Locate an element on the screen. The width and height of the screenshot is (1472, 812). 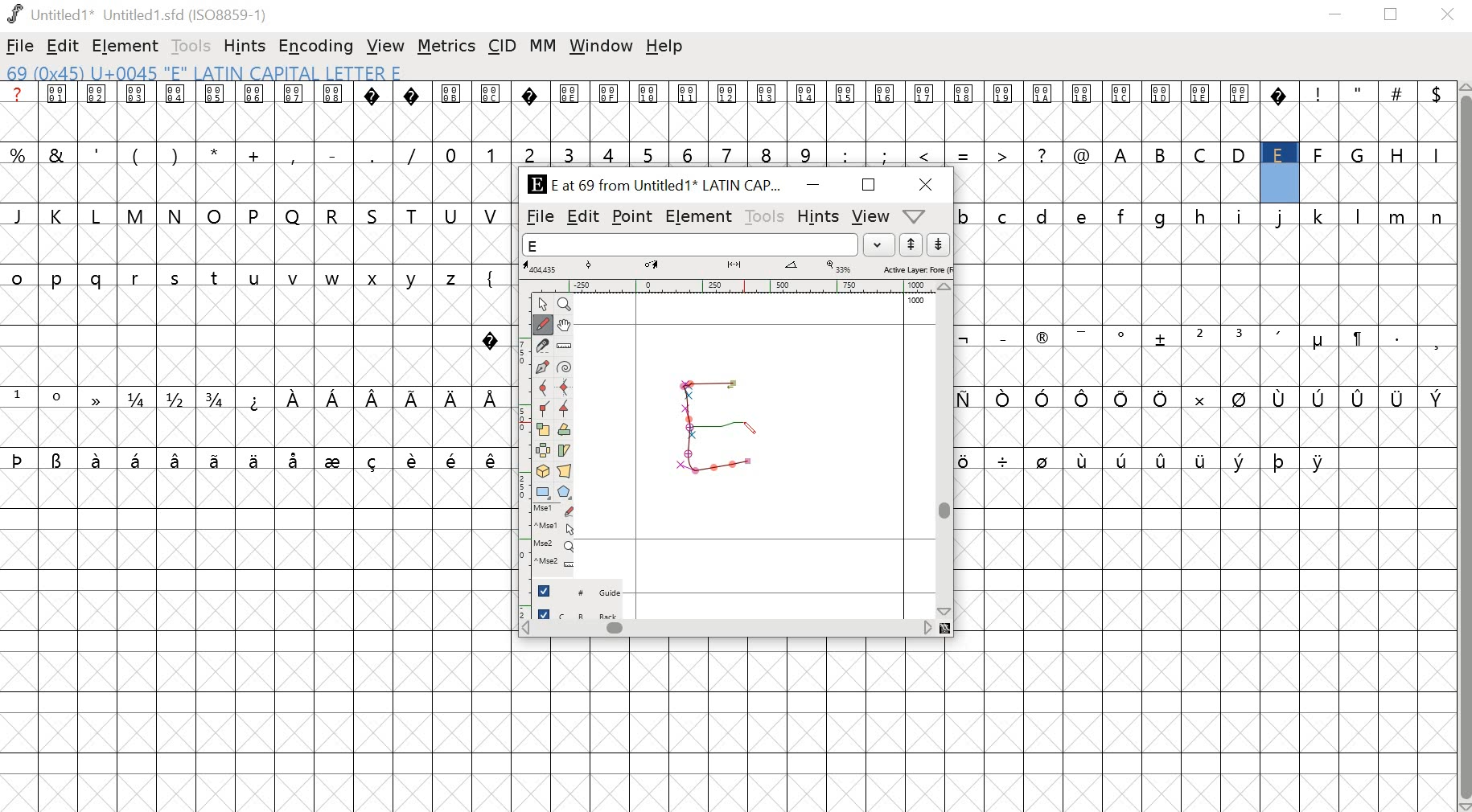
file is located at coordinates (20, 47).